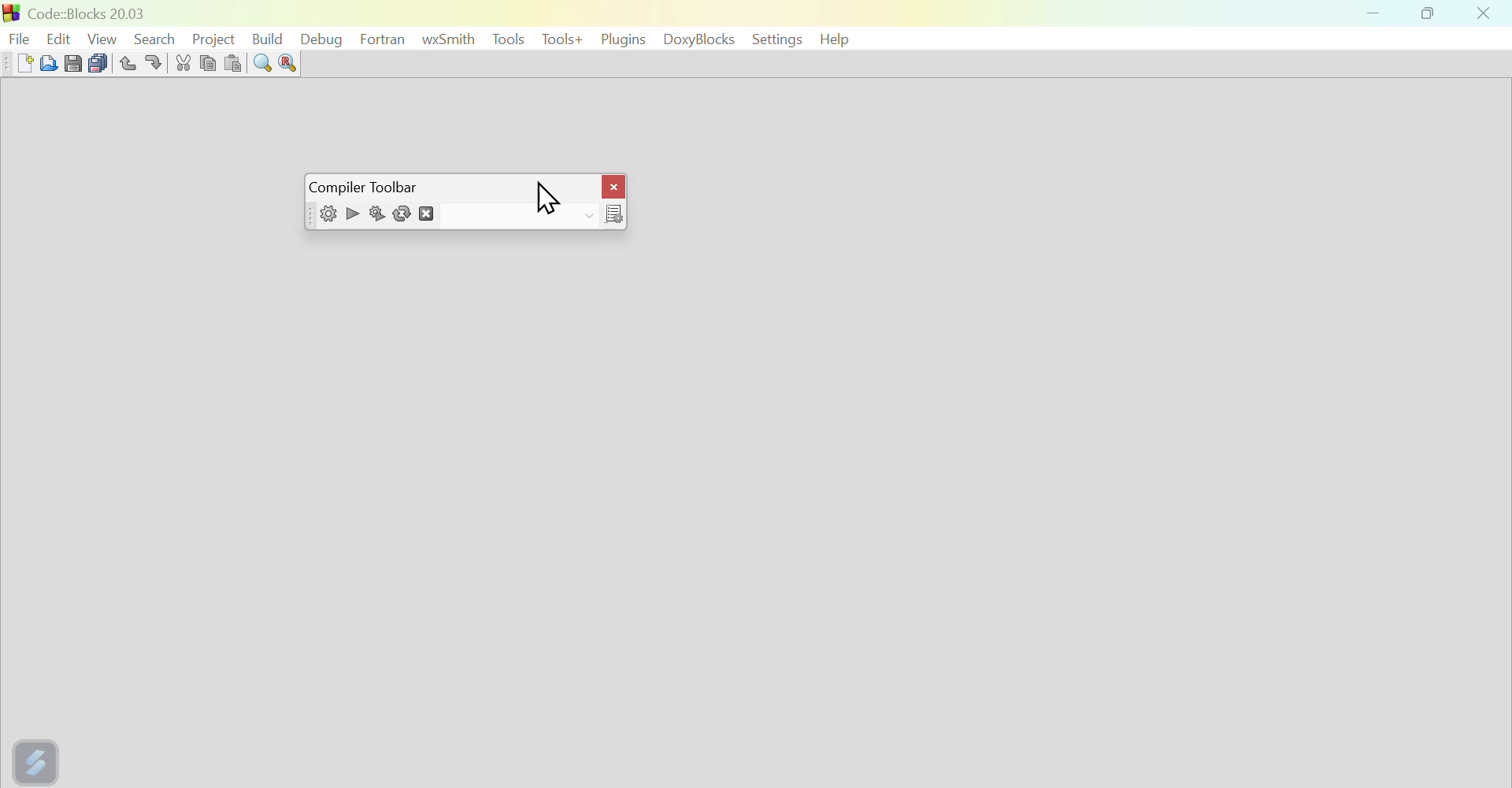  I want to click on Delete, so click(431, 215).